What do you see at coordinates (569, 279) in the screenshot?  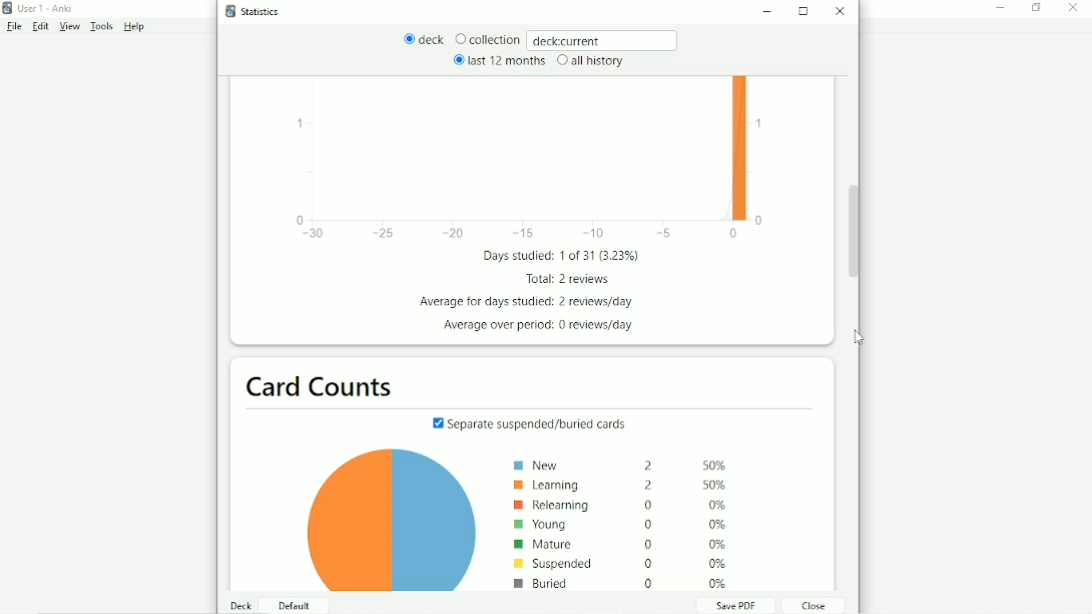 I see `Total: 2 reviews` at bounding box center [569, 279].